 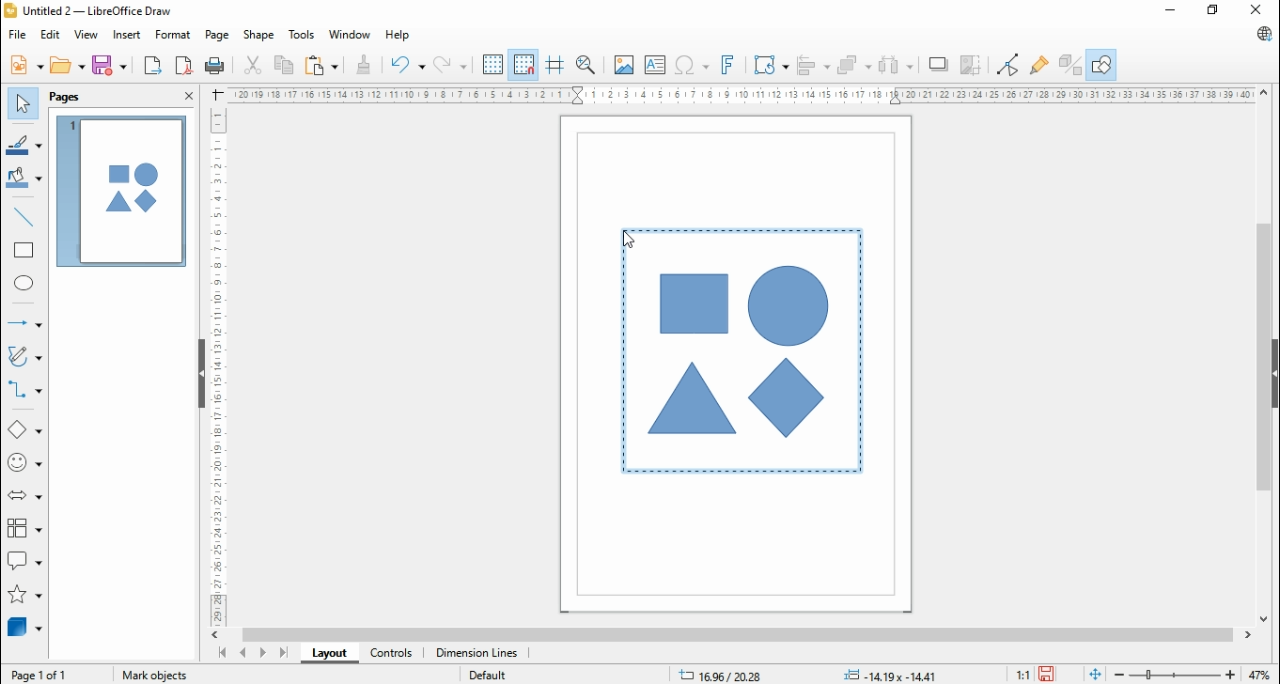 What do you see at coordinates (1096, 674) in the screenshot?
I see `fit page to window` at bounding box center [1096, 674].